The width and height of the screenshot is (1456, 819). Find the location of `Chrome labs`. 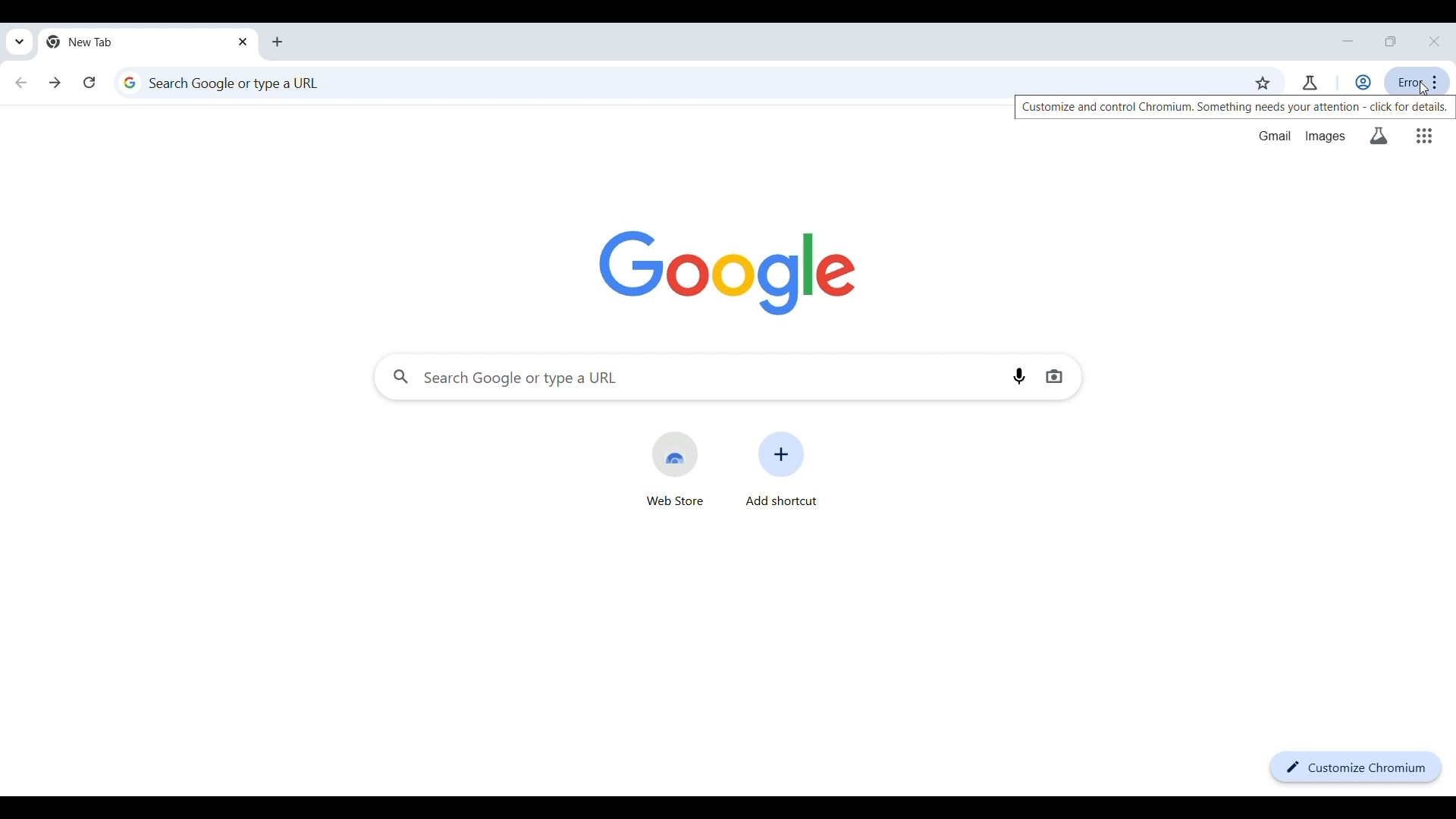

Chrome labs is located at coordinates (1310, 83).